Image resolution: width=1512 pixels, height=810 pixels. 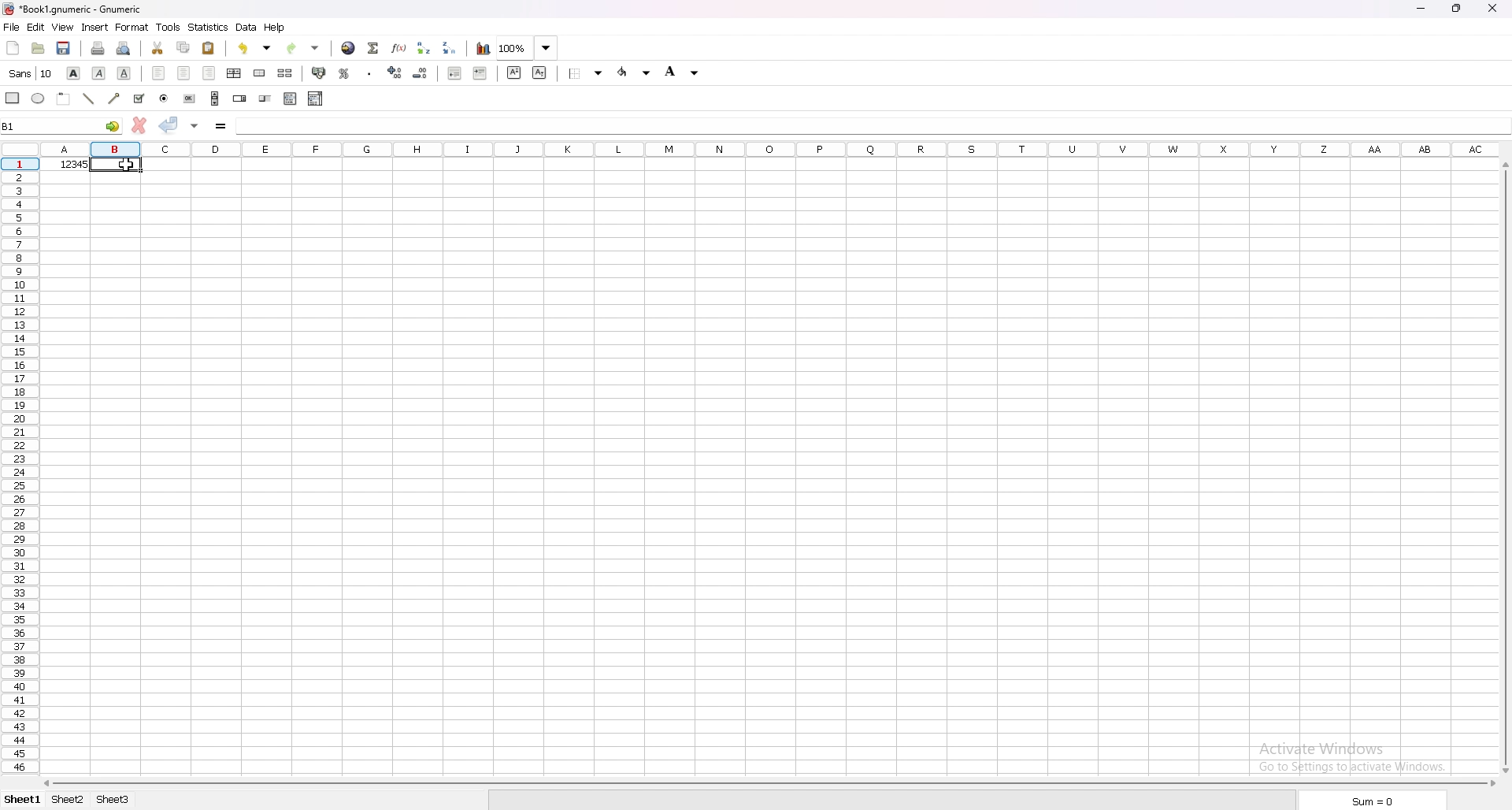 I want to click on centre, so click(x=186, y=73).